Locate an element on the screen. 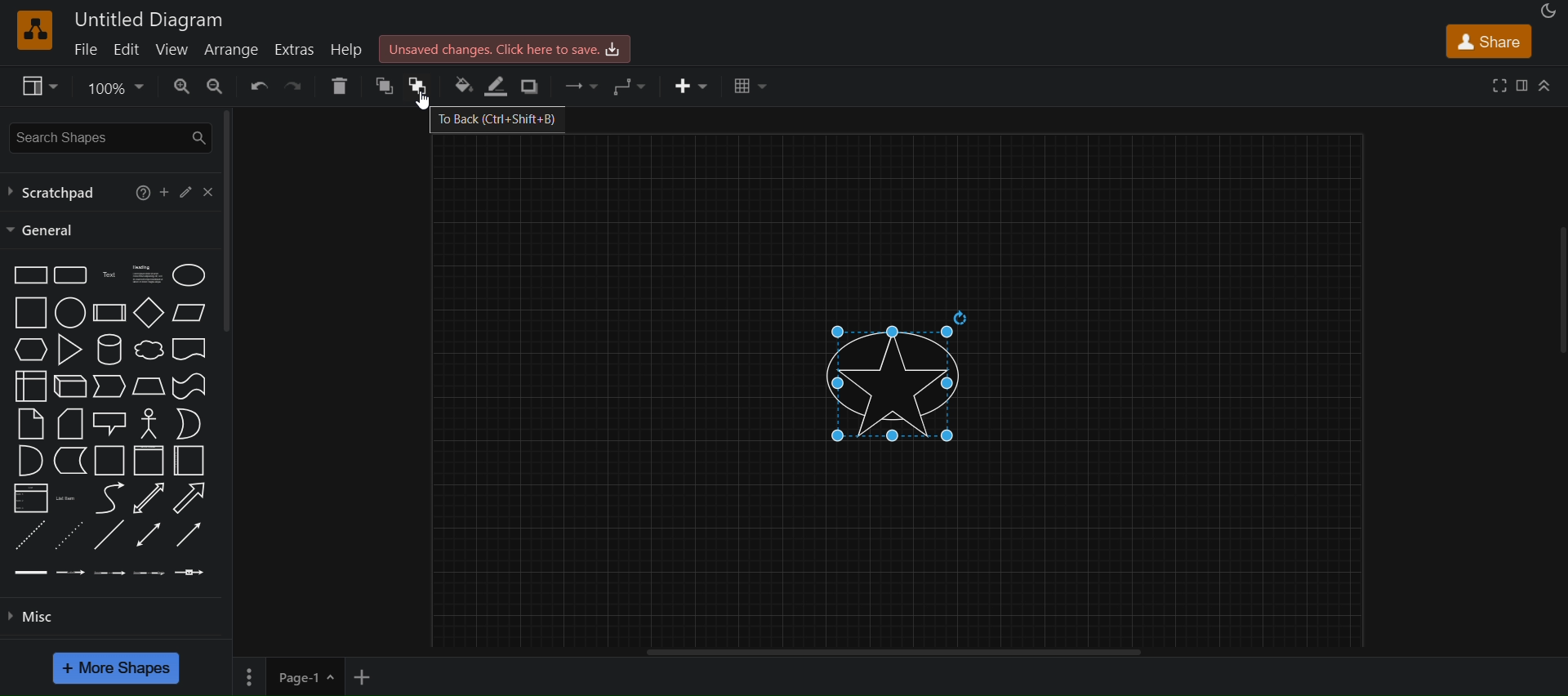  container is located at coordinates (106, 461).